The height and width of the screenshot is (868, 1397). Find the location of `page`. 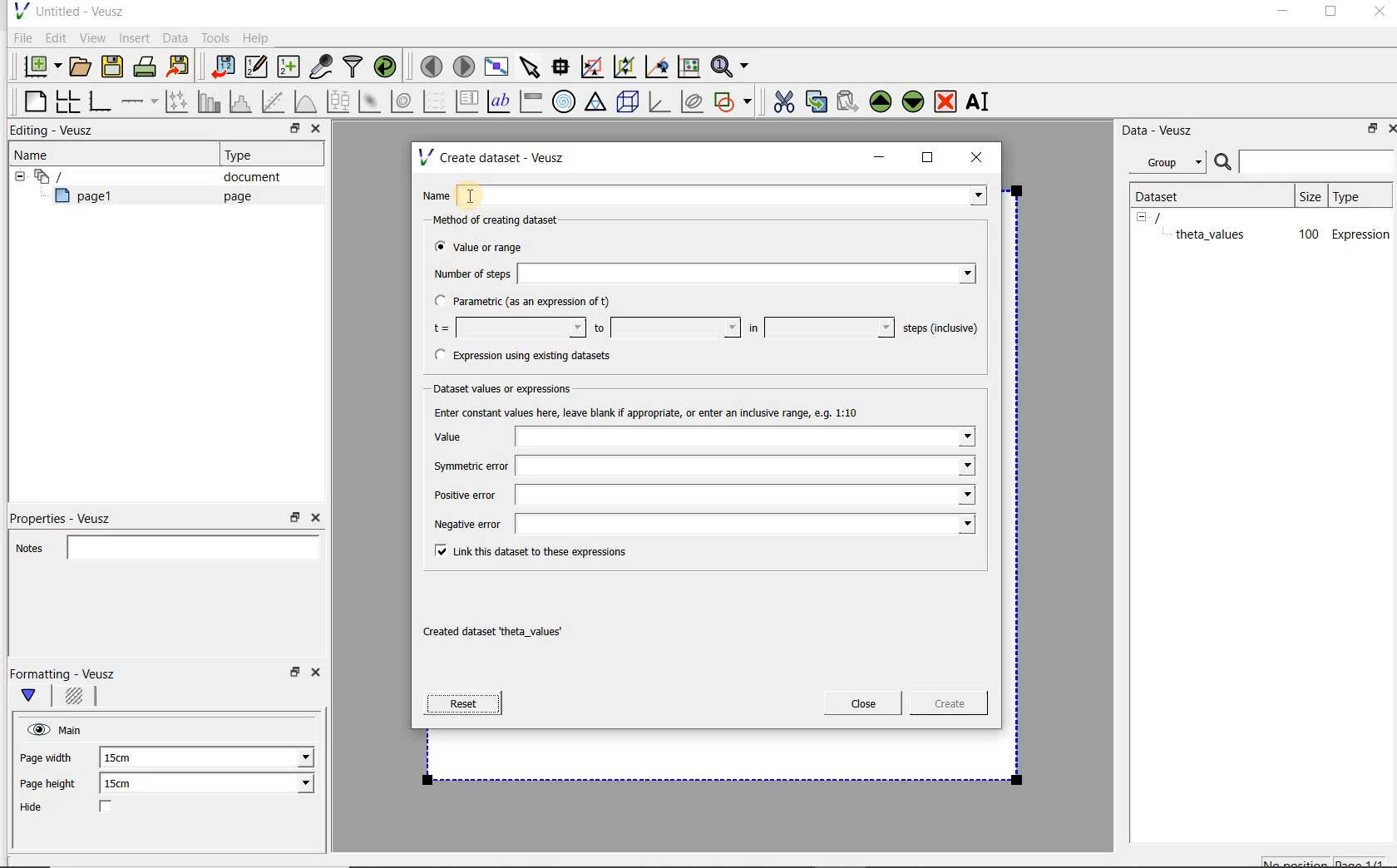

page is located at coordinates (234, 196).